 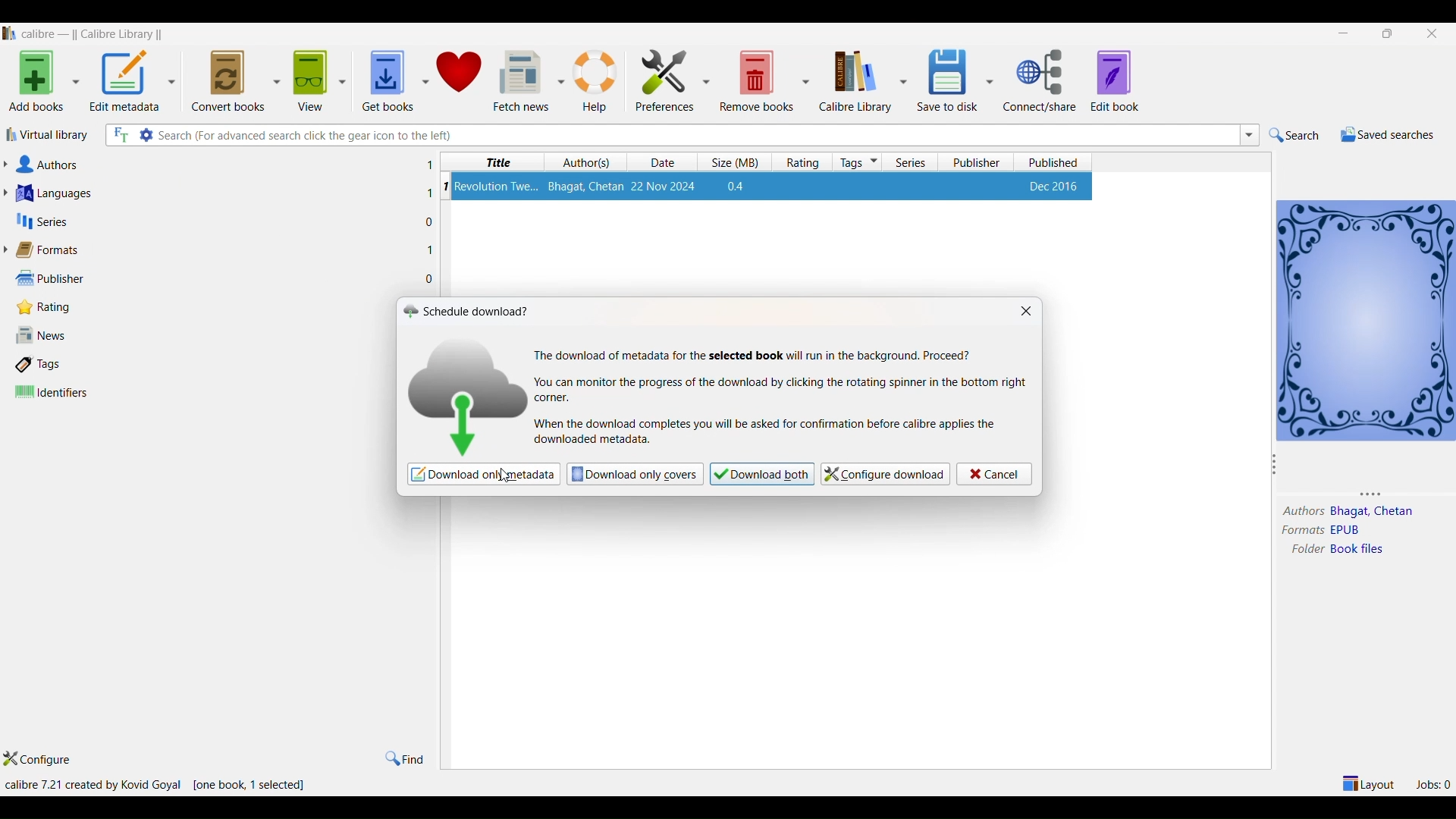 What do you see at coordinates (805, 162) in the screenshot?
I see `rating` at bounding box center [805, 162].